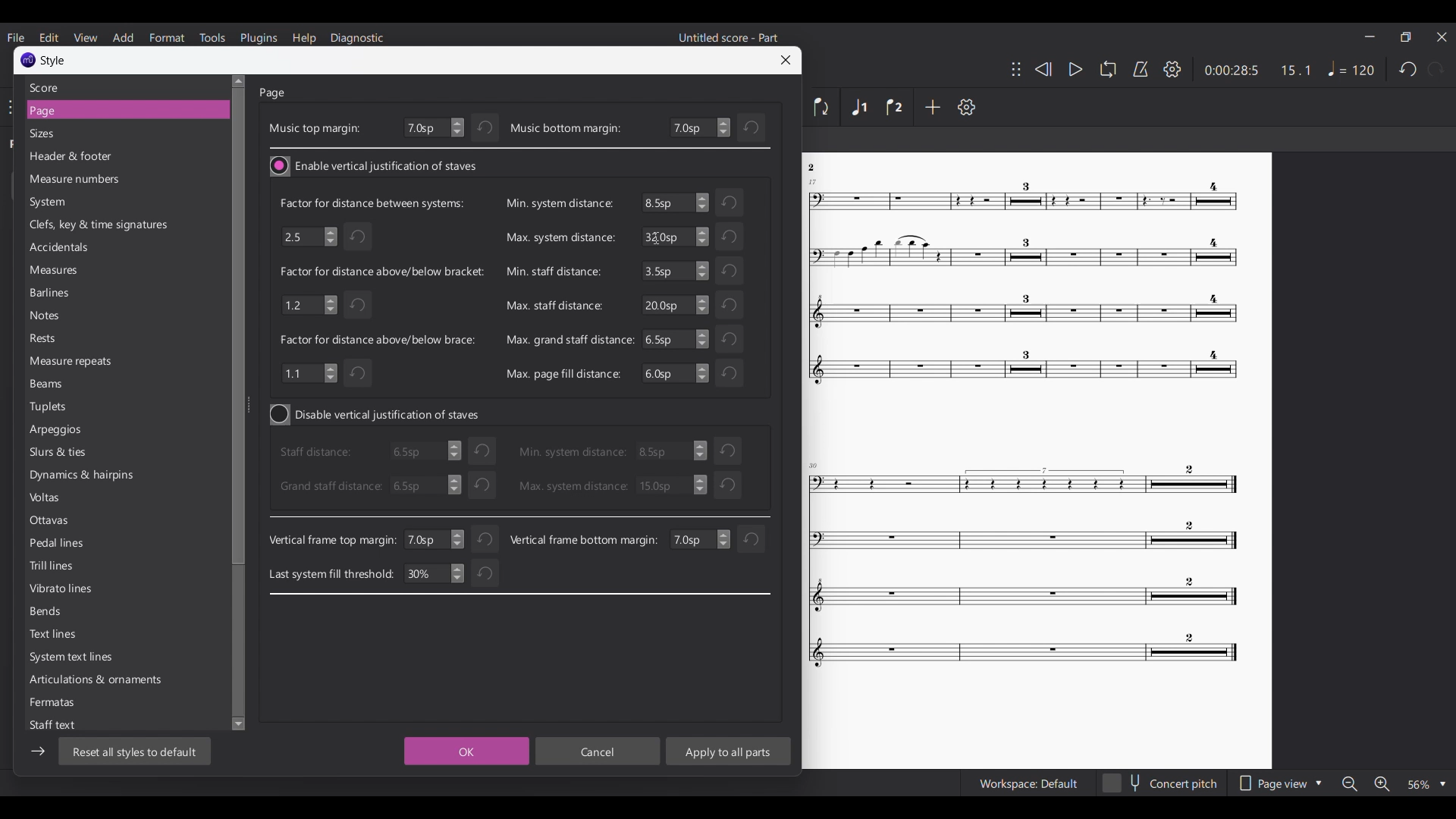  I want to click on Max. page fill distance, so click(563, 373).